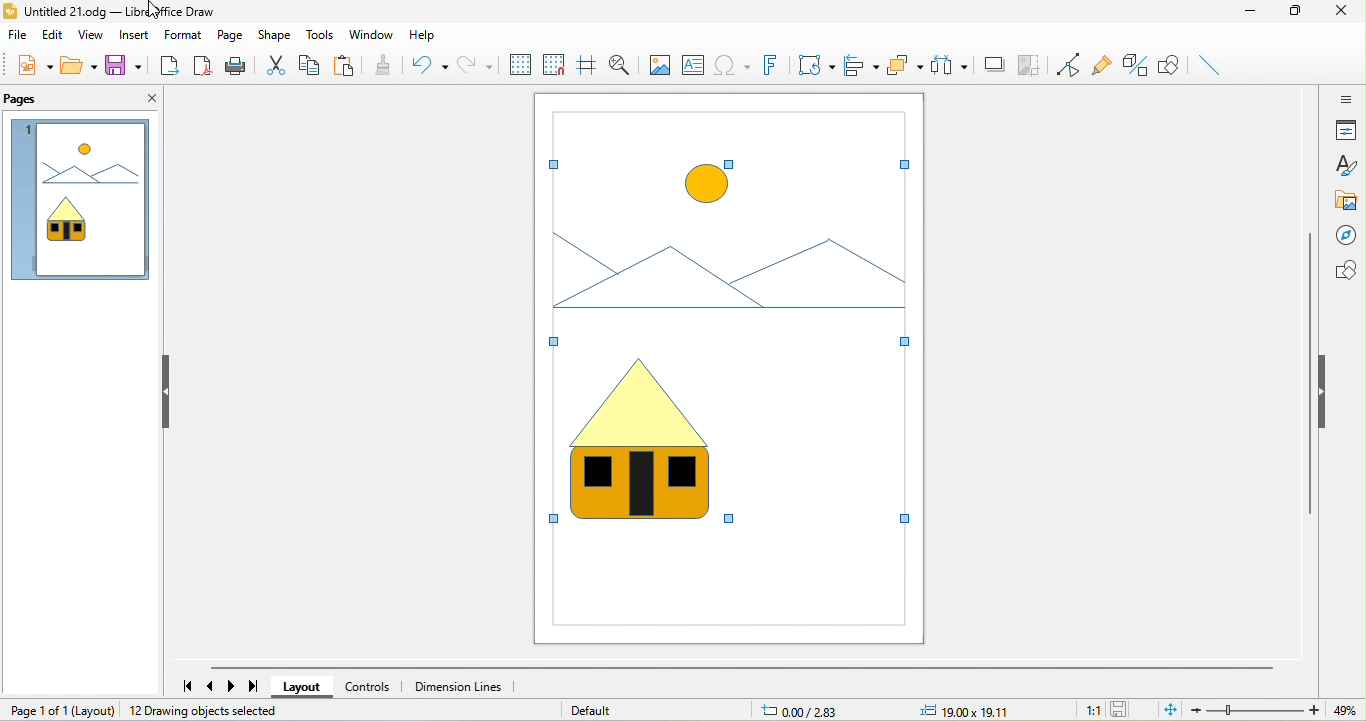 This screenshot has height=722, width=1366. Describe the element at coordinates (79, 203) in the screenshot. I see `page preview` at that location.